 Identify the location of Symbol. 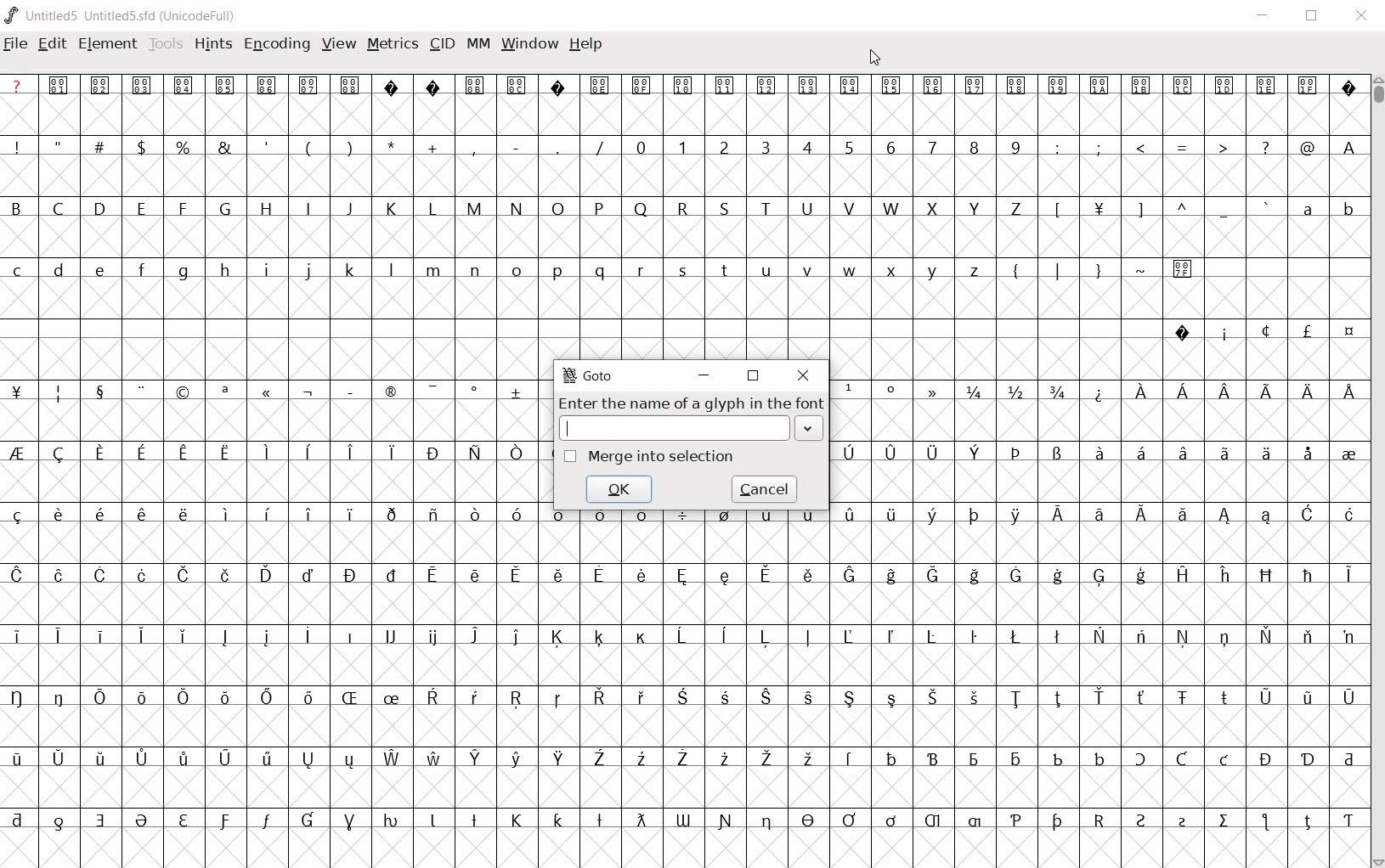
(1268, 518).